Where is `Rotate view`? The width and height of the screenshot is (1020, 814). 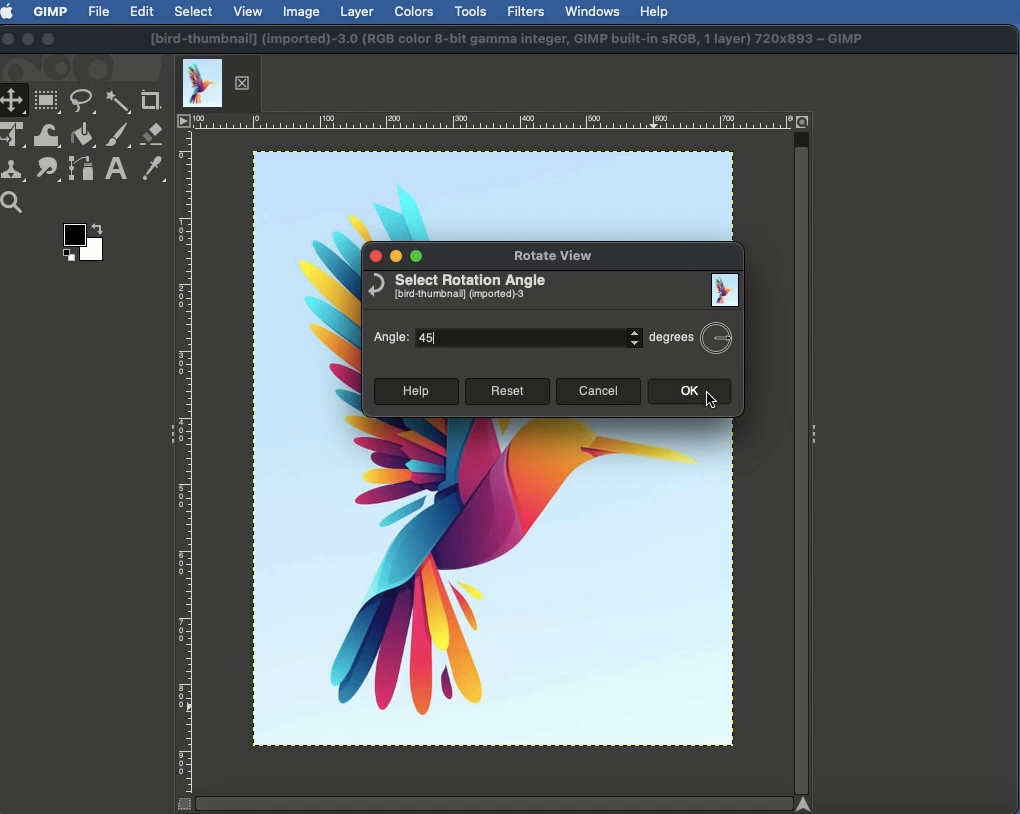
Rotate view is located at coordinates (561, 259).